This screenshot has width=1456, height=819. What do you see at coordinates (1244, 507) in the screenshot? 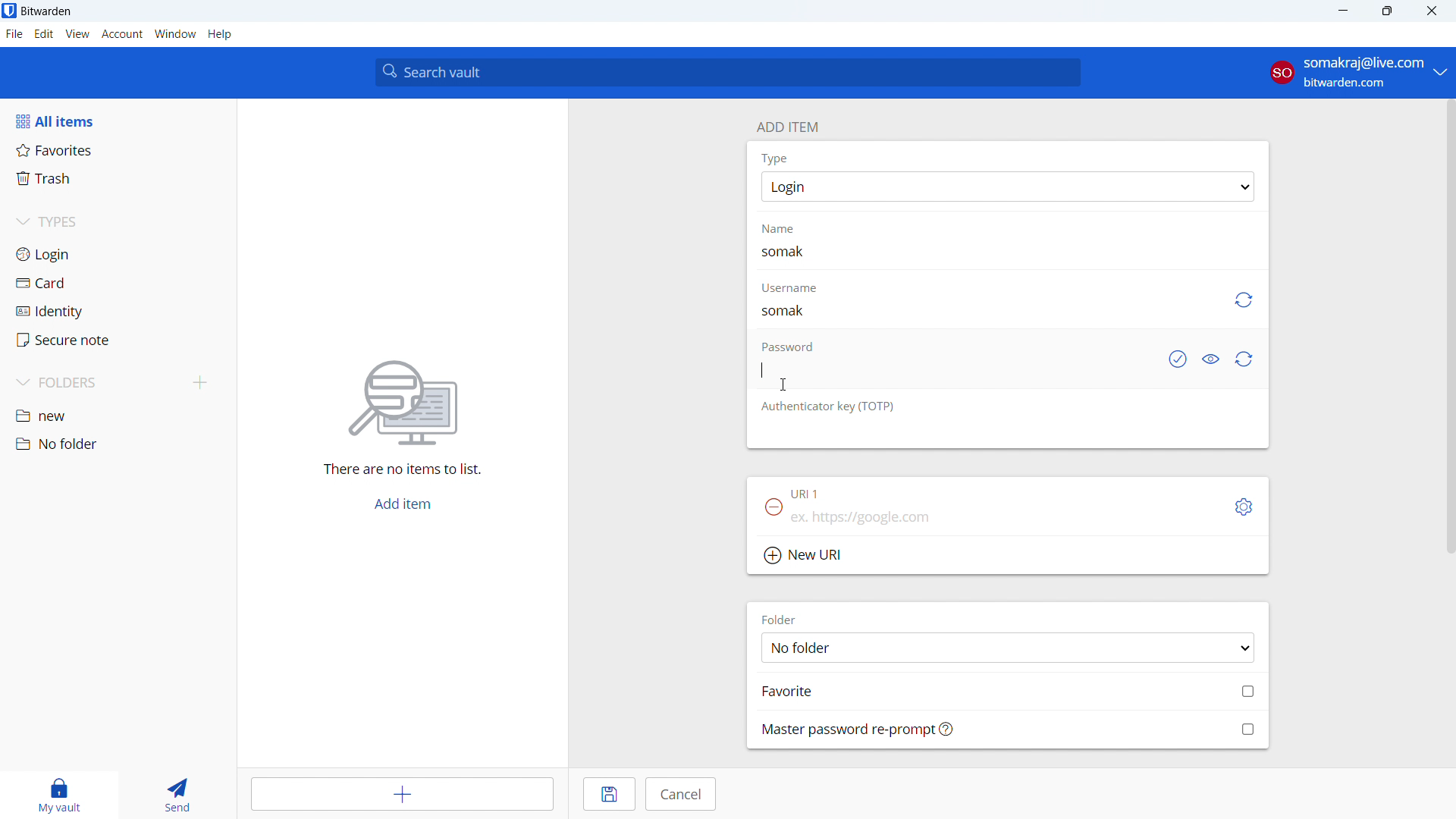
I see `toggle options` at bounding box center [1244, 507].